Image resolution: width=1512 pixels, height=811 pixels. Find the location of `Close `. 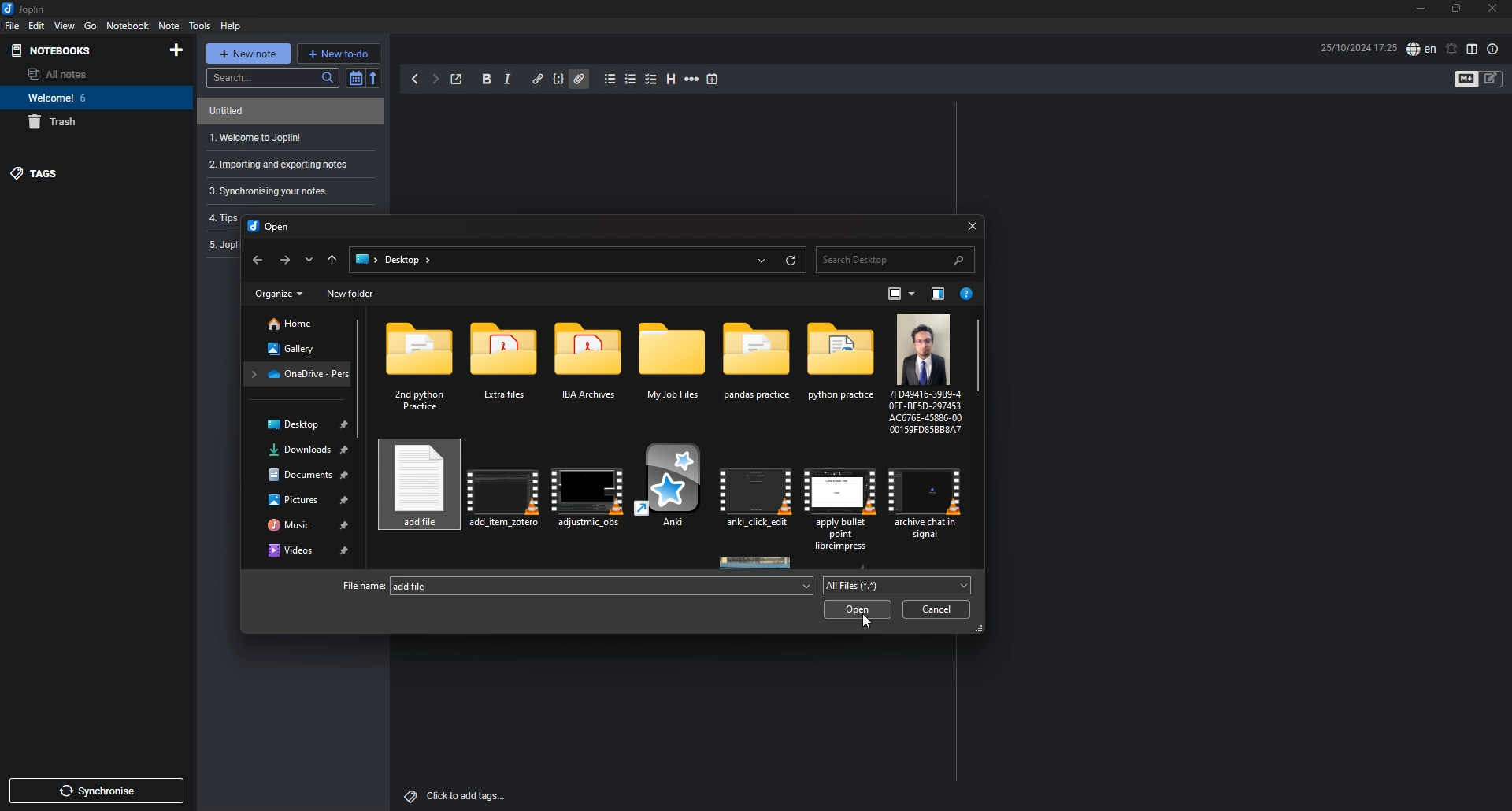

Close  is located at coordinates (968, 223).